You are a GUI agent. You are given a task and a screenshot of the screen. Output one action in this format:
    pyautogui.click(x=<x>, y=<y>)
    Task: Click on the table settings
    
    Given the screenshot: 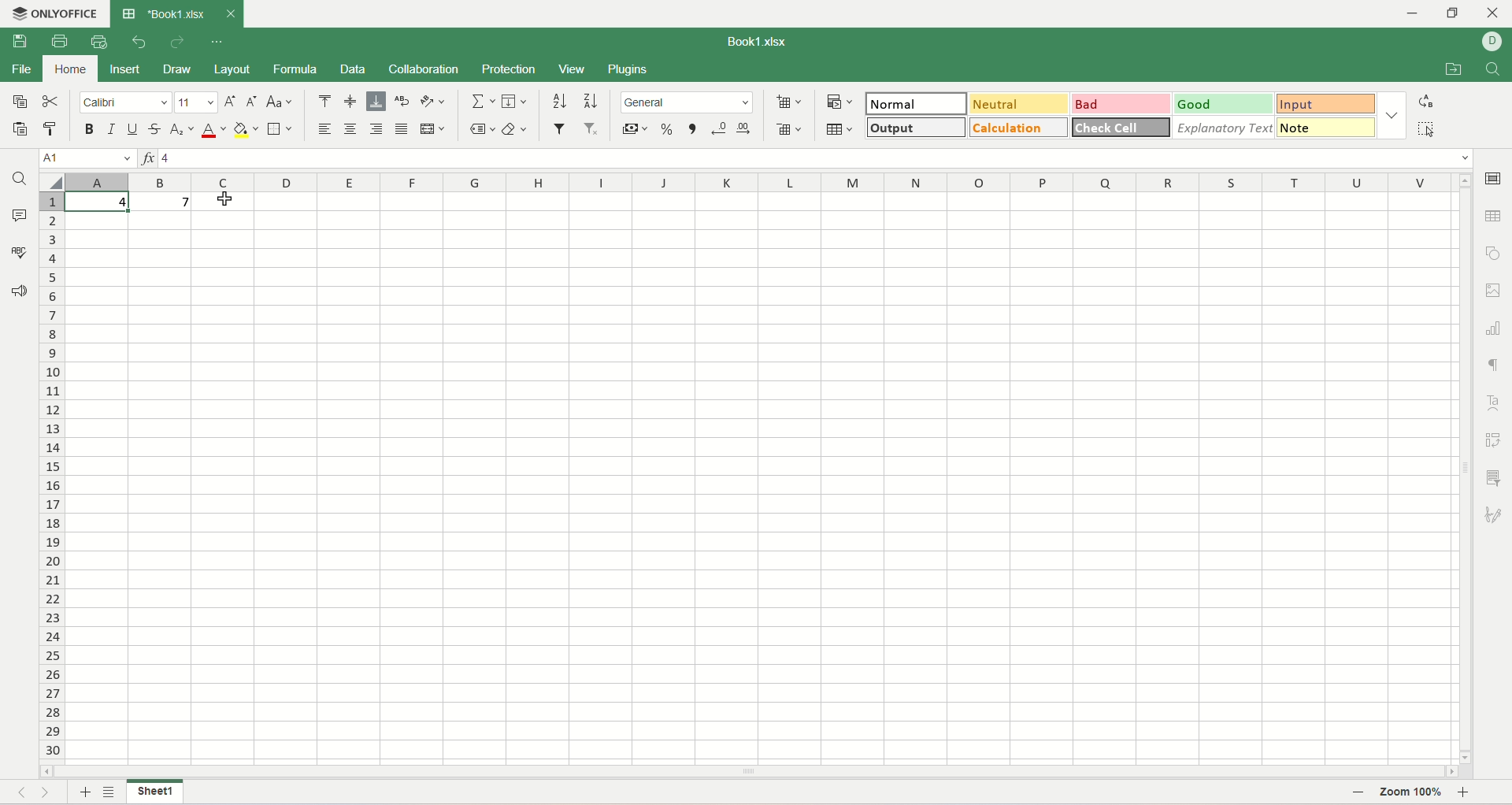 What is the action you would take?
    pyautogui.click(x=1493, y=221)
    